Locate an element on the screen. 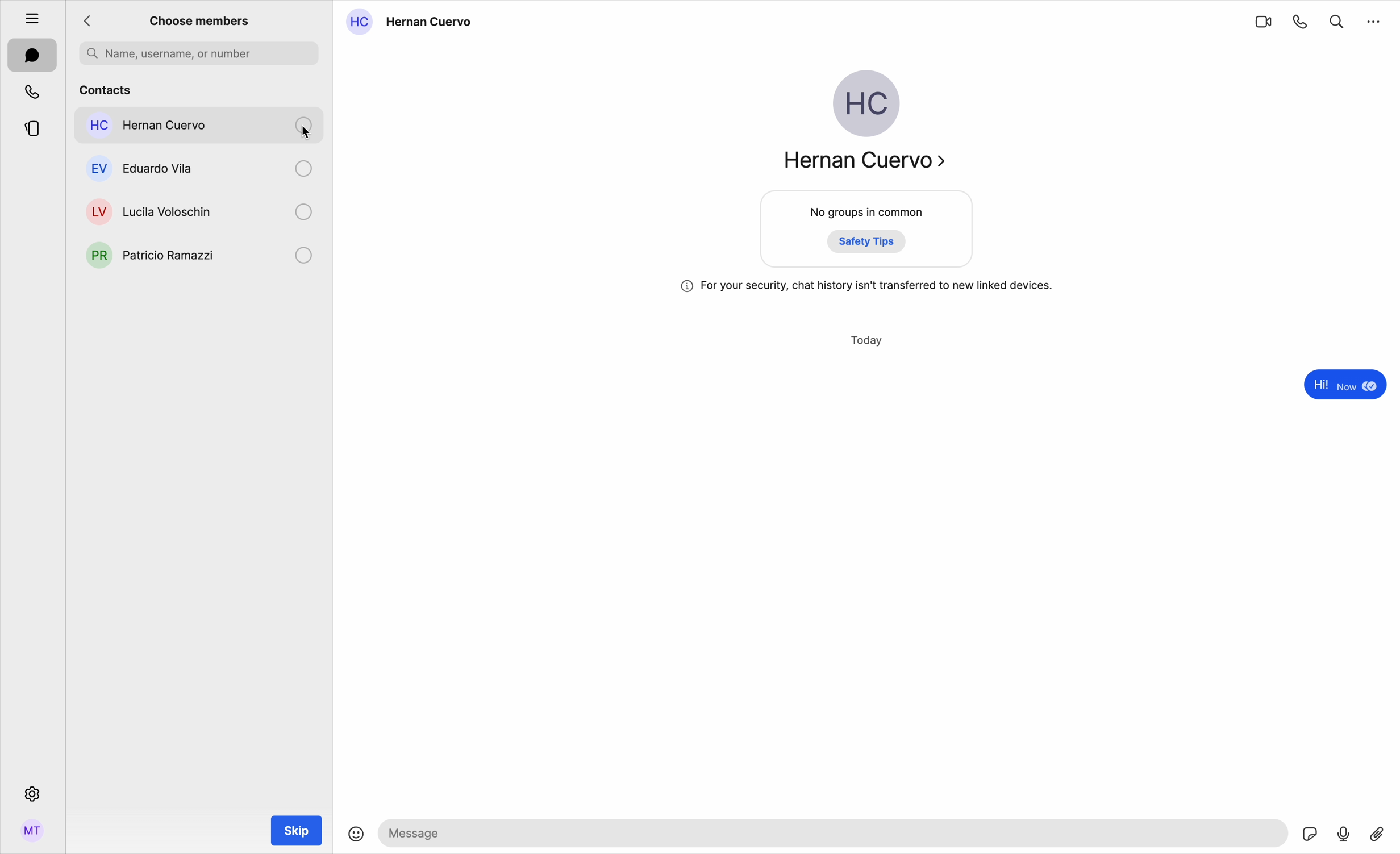 This screenshot has height=854, width=1400. sticker is located at coordinates (1311, 835).